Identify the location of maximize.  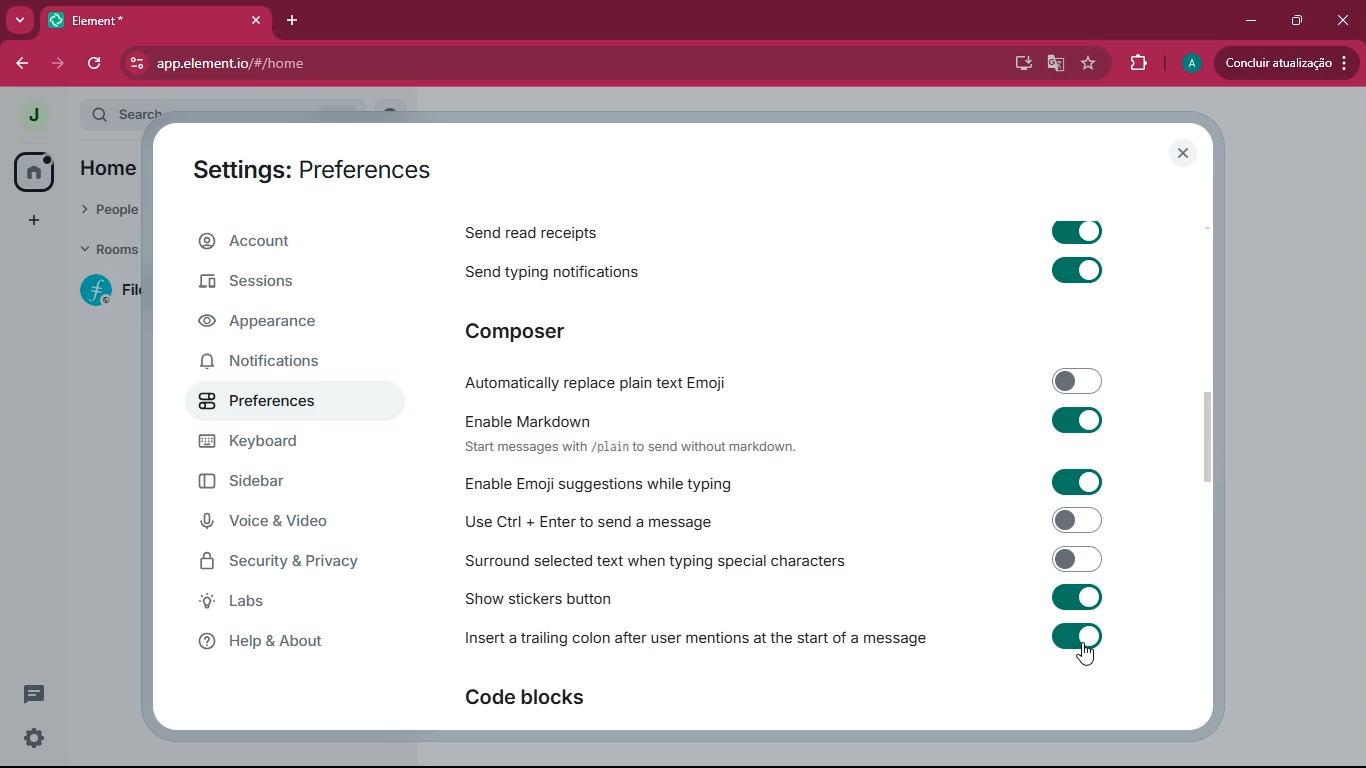
(1299, 22).